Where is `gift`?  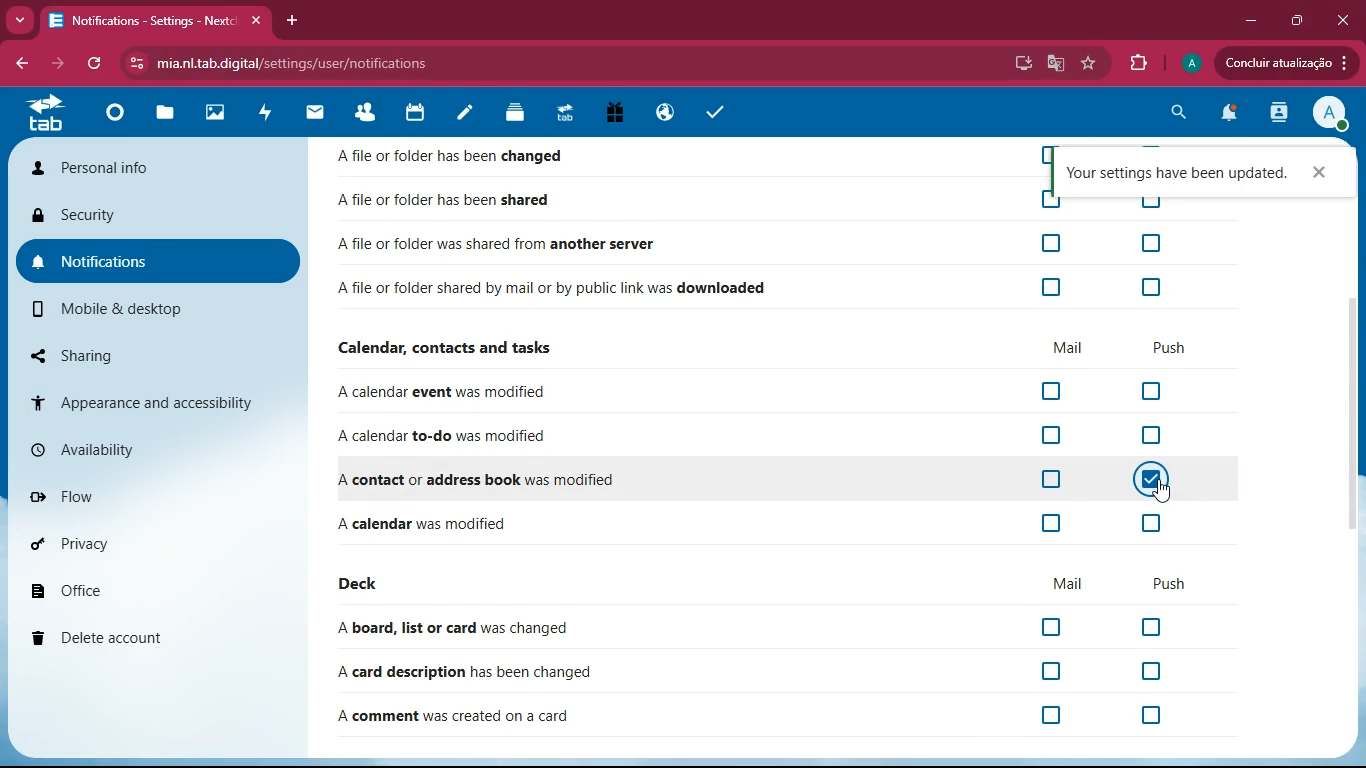 gift is located at coordinates (617, 114).